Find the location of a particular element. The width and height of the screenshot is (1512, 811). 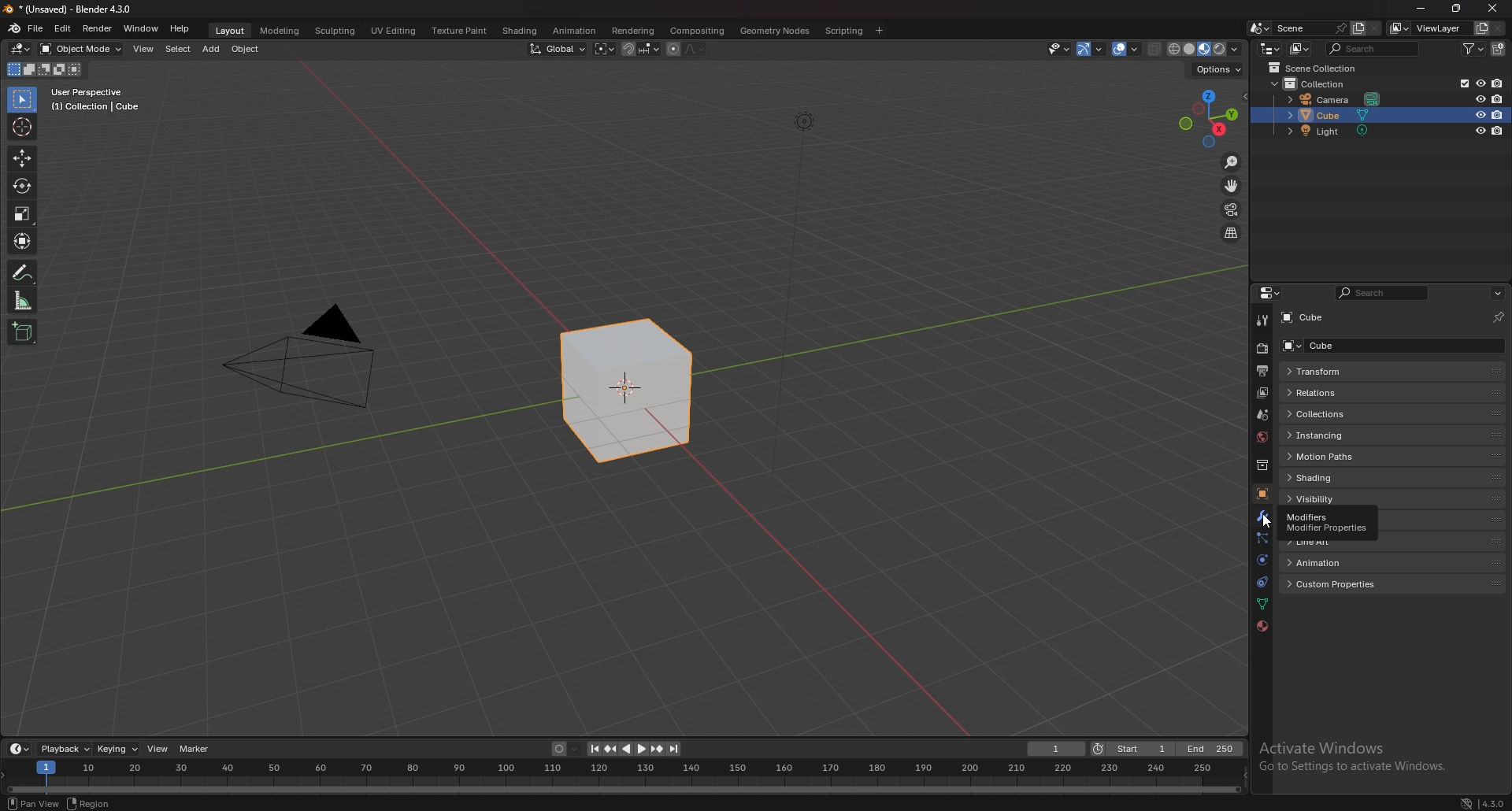

jump to endpoint is located at coordinates (676, 749).